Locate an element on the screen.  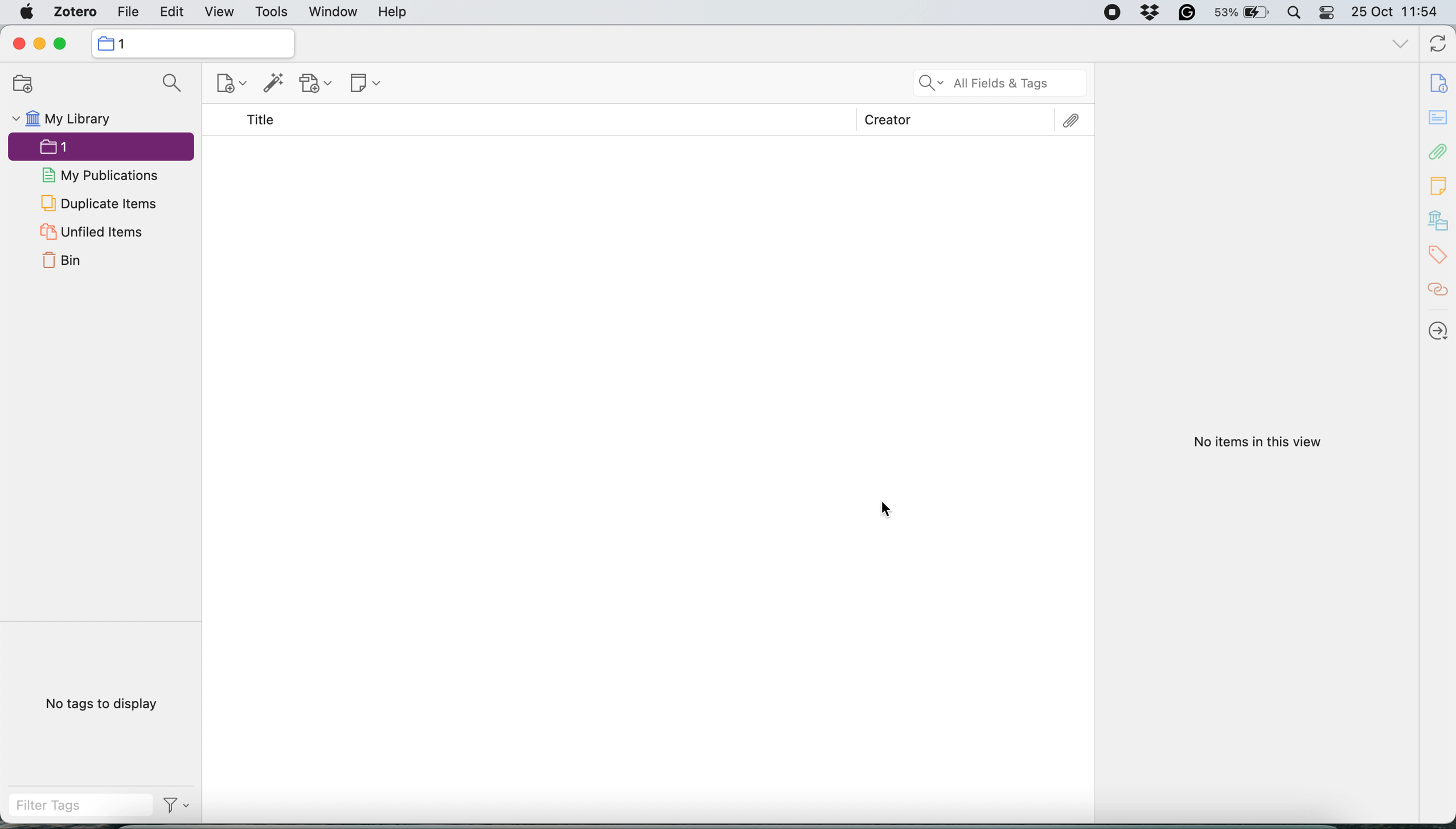
document is located at coordinates (1441, 84).